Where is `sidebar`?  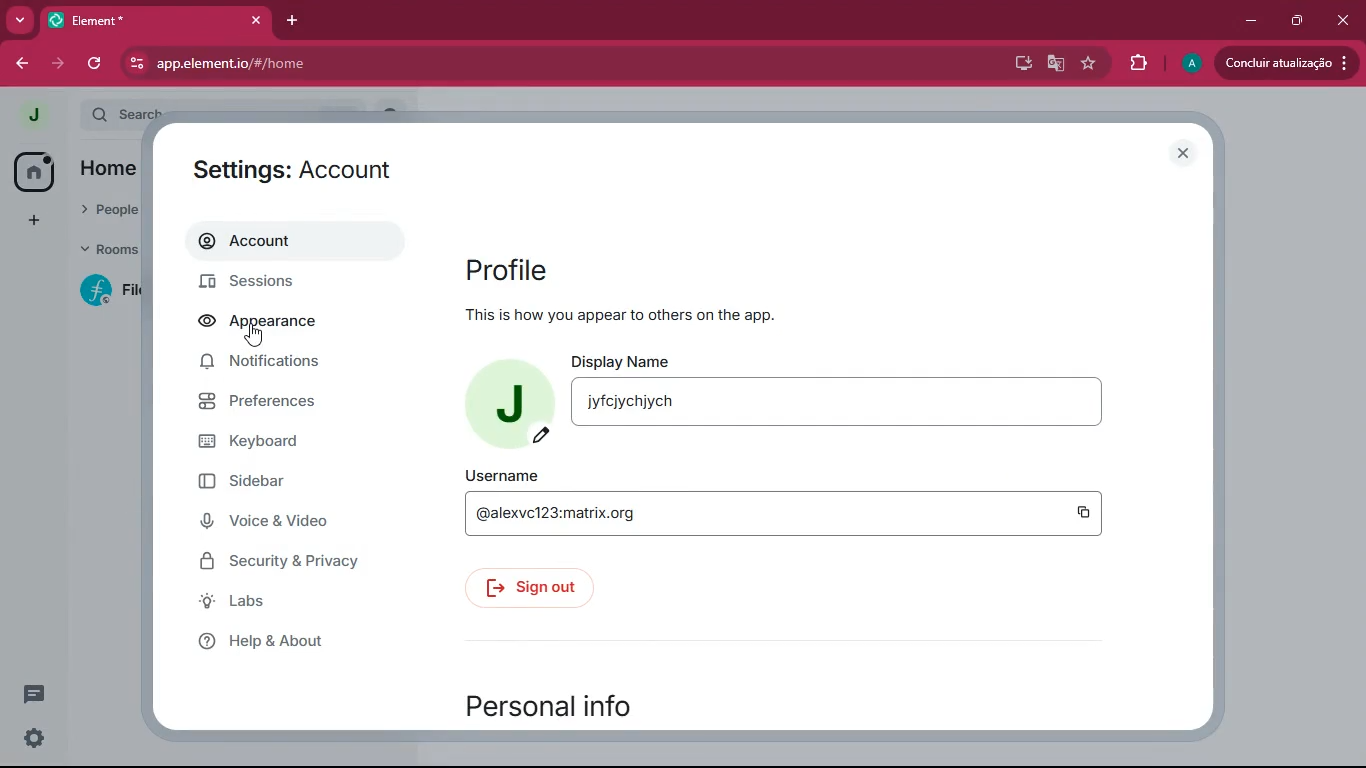
sidebar is located at coordinates (286, 486).